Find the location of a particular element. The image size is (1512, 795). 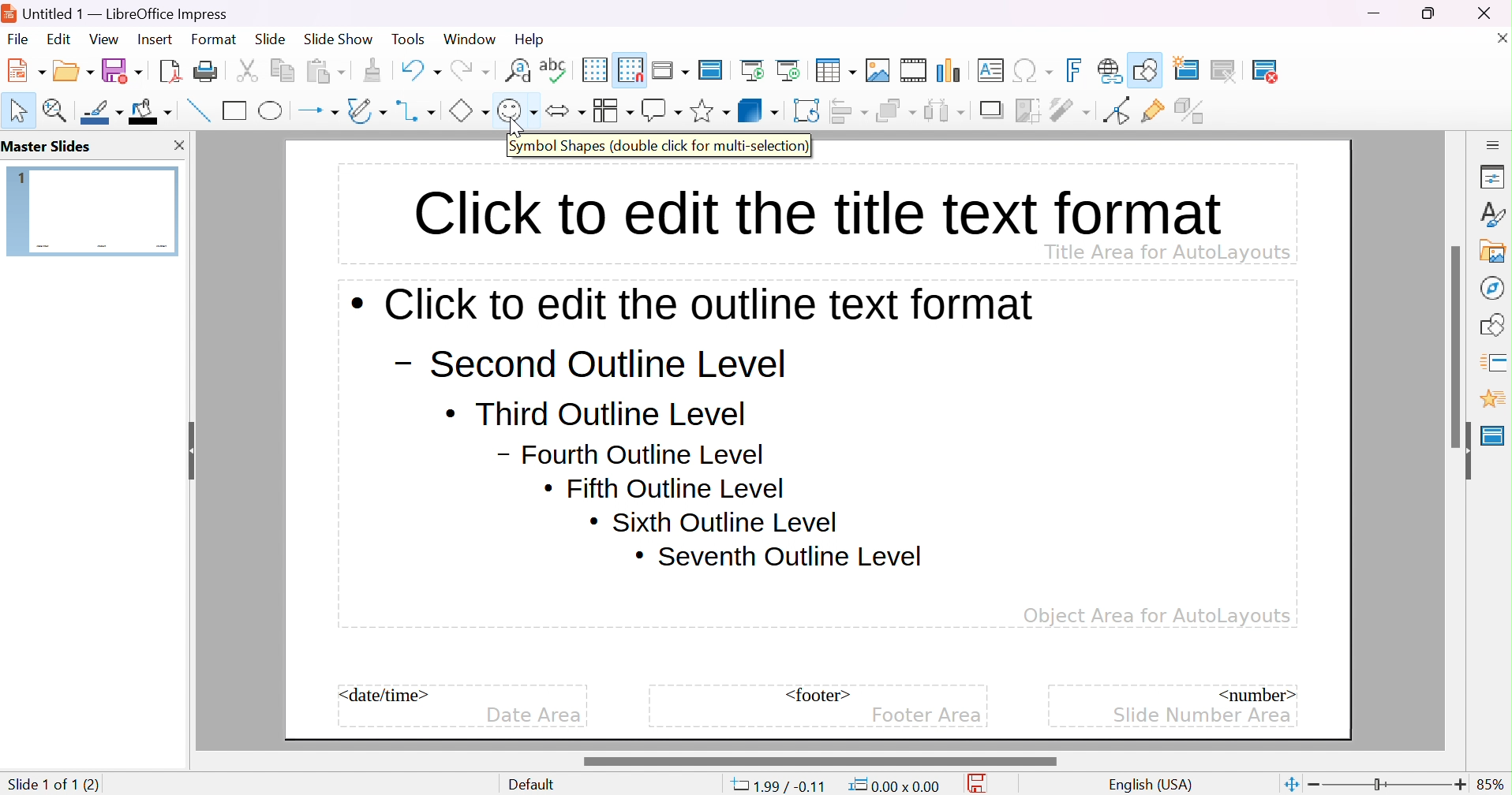

seventh outline level is located at coordinates (780, 557).